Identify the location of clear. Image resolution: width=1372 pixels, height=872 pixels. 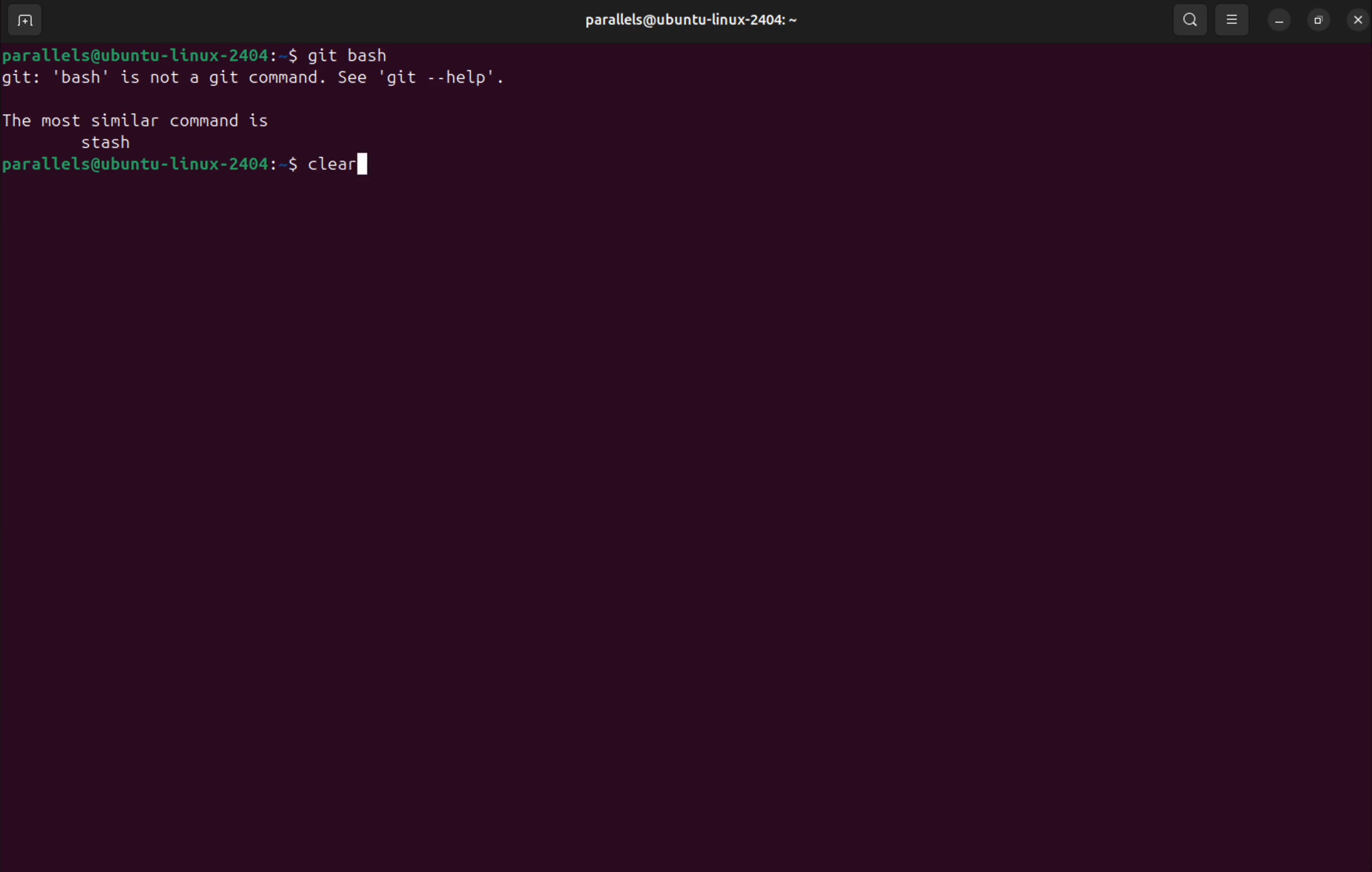
(349, 165).